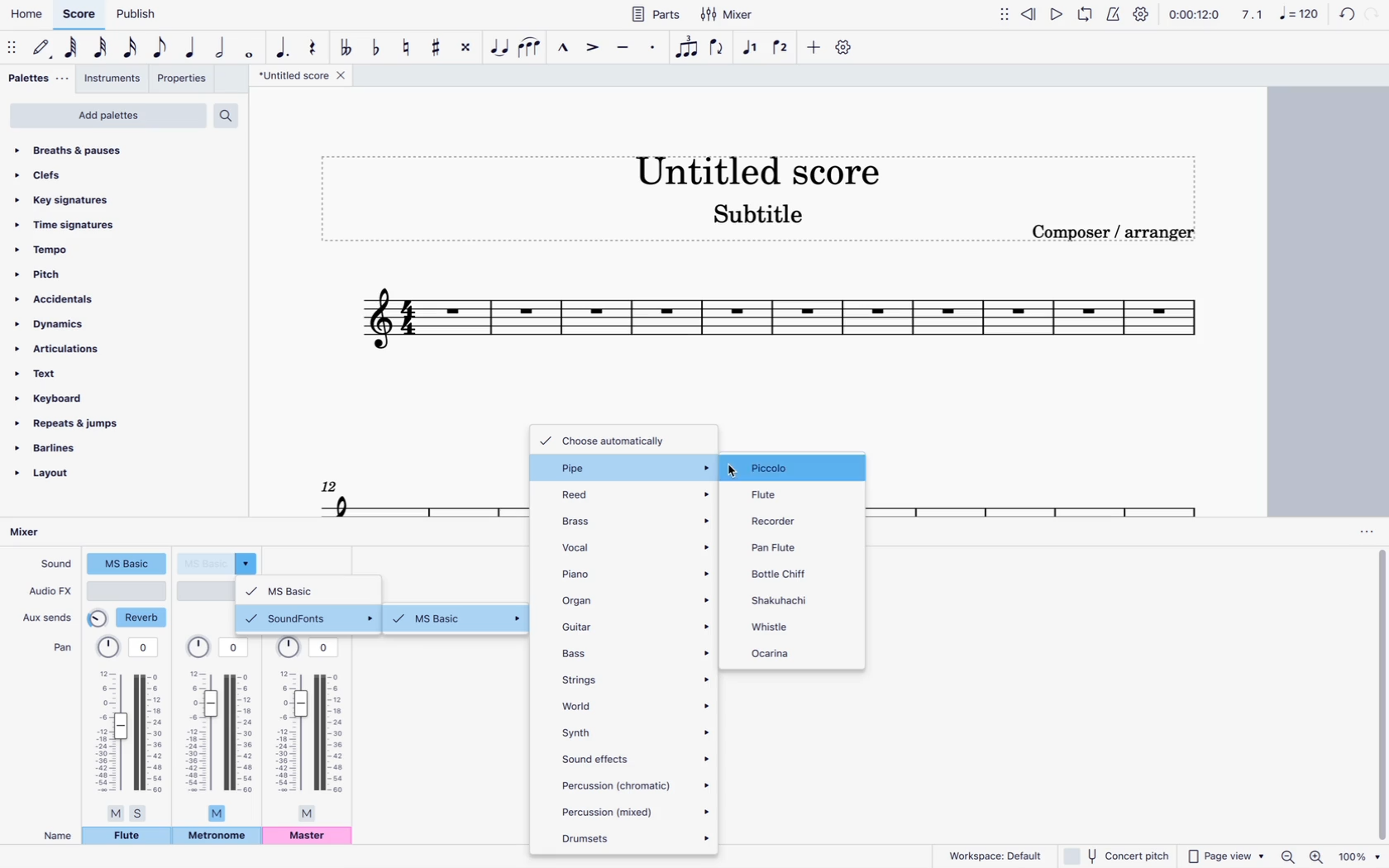 Image resolution: width=1389 pixels, height=868 pixels. What do you see at coordinates (1194, 16) in the screenshot?
I see `time` at bounding box center [1194, 16].